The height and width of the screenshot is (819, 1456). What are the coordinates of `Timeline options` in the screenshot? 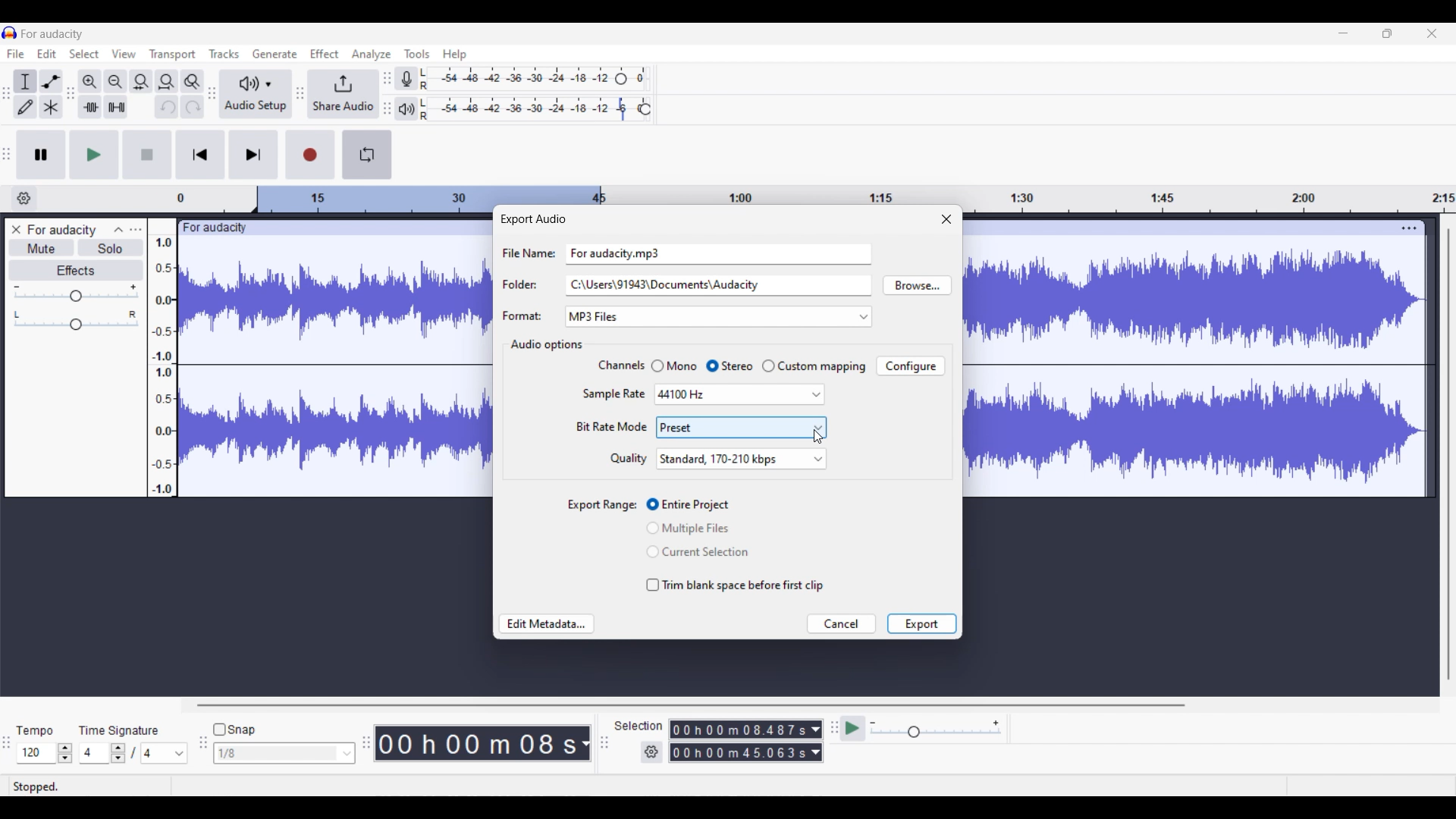 It's located at (24, 199).